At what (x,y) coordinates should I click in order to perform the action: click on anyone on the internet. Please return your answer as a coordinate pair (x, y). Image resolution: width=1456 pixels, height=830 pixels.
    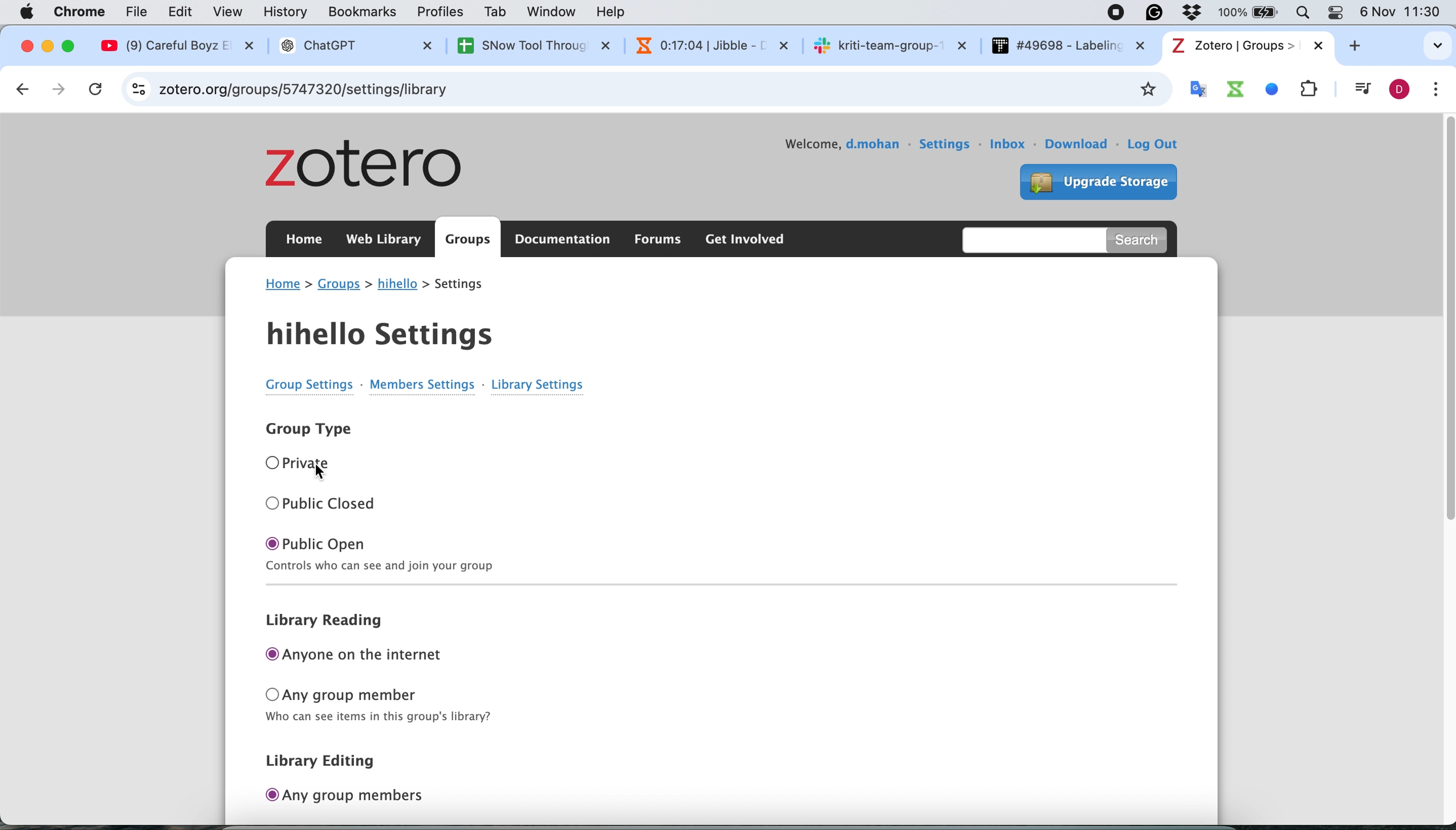
    Looking at the image, I should click on (363, 656).